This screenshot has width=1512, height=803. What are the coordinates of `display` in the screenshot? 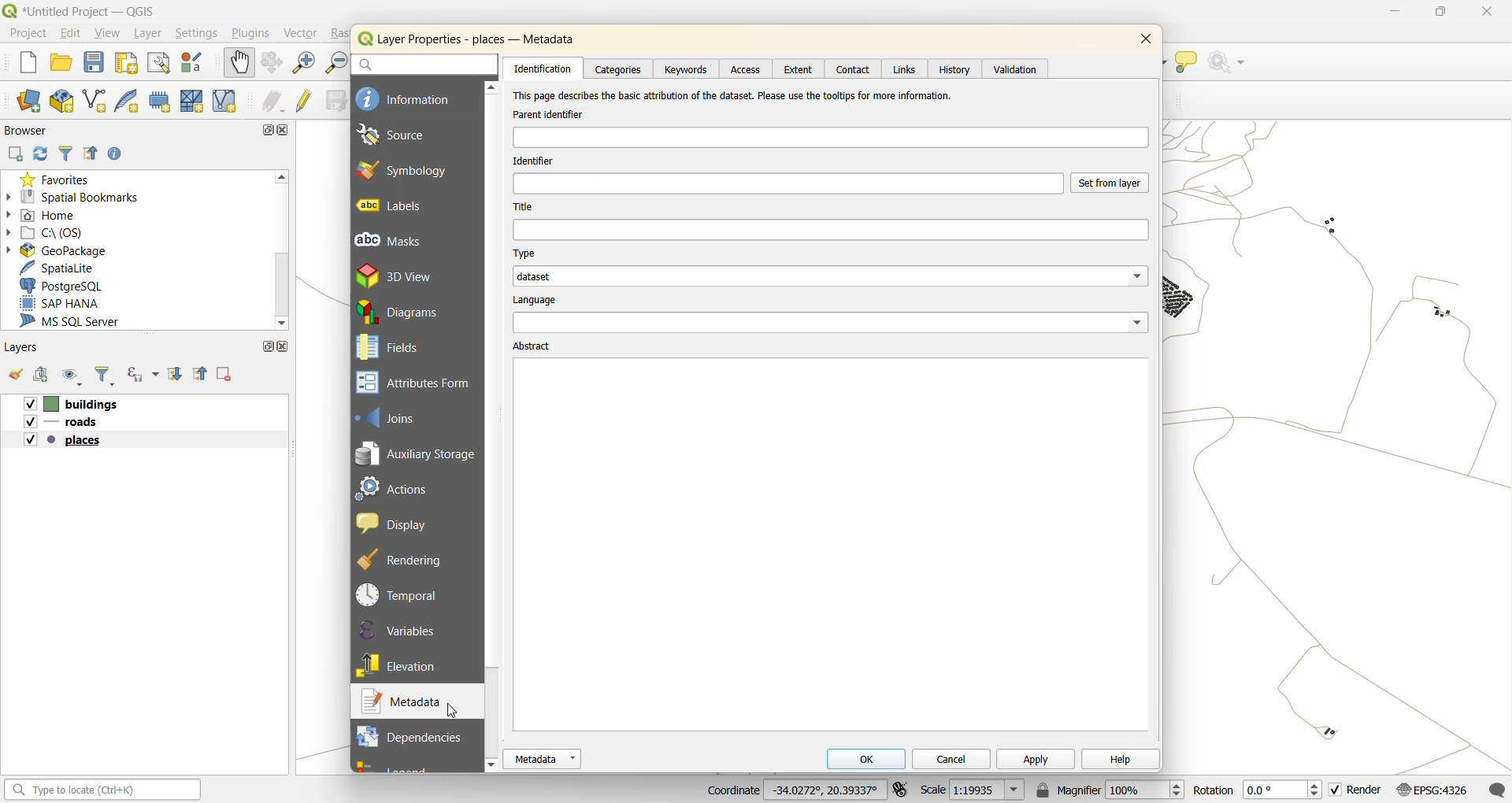 It's located at (391, 524).